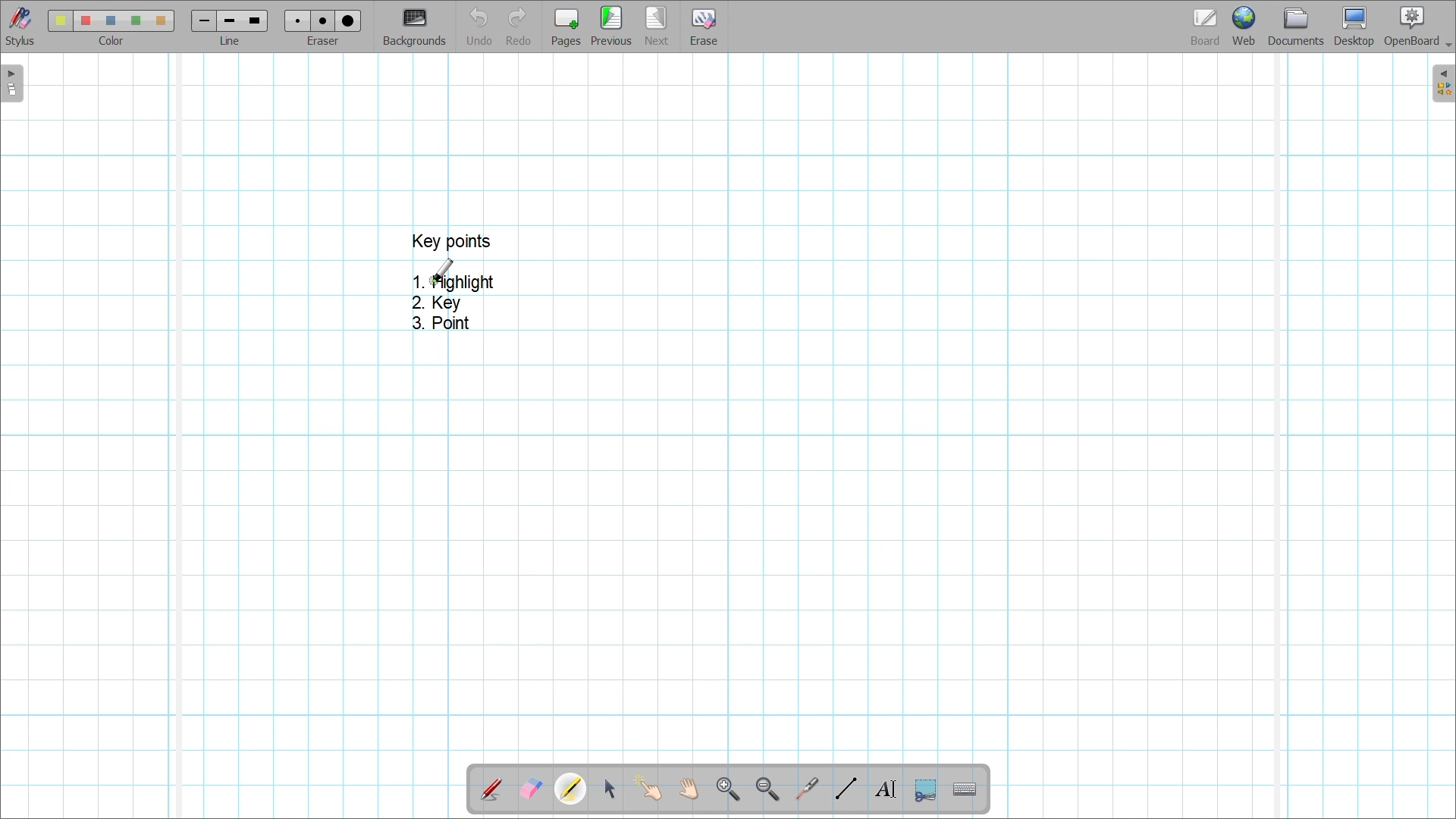 The width and height of the screenshot is (1456, 819). I want to click on Scroll page, so click(688, 789).